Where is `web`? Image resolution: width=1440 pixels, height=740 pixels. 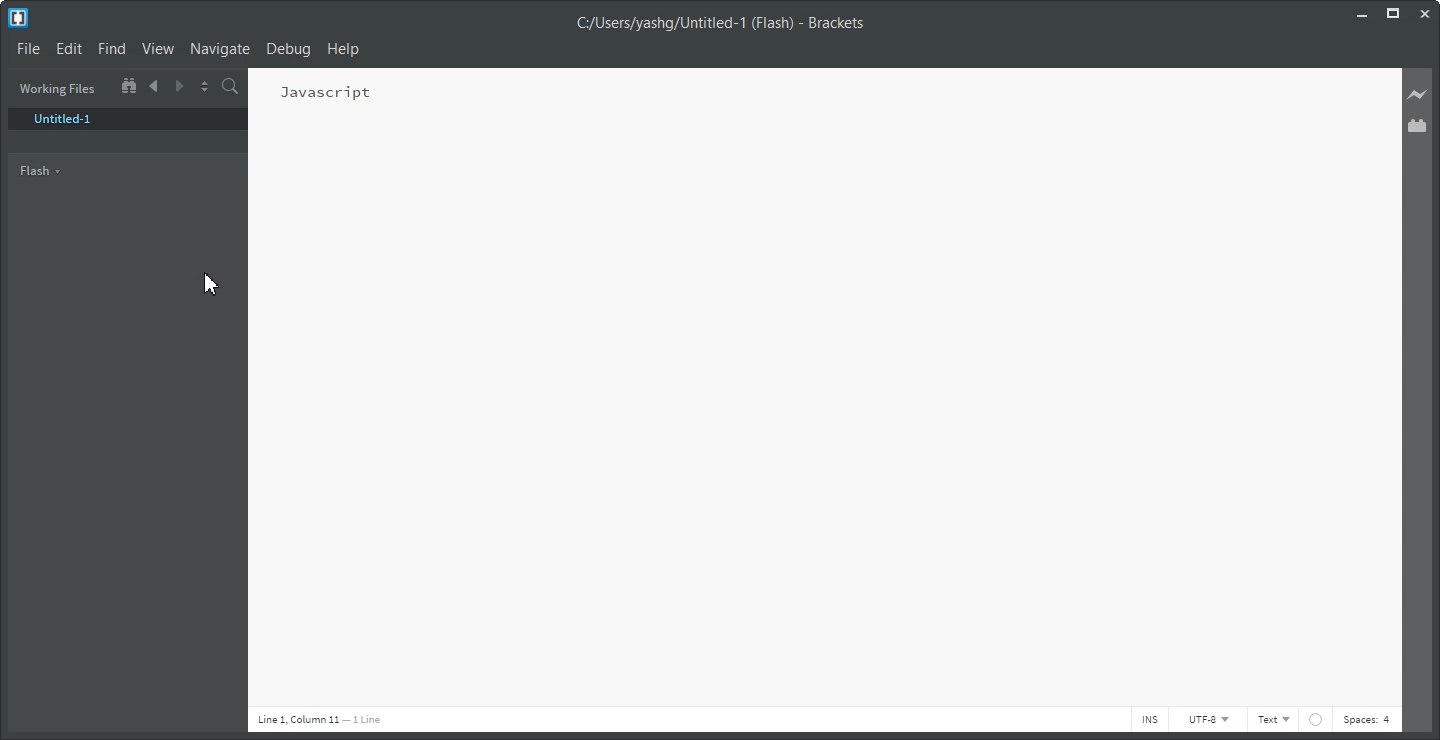 web is located at coordinates (1316, 721).